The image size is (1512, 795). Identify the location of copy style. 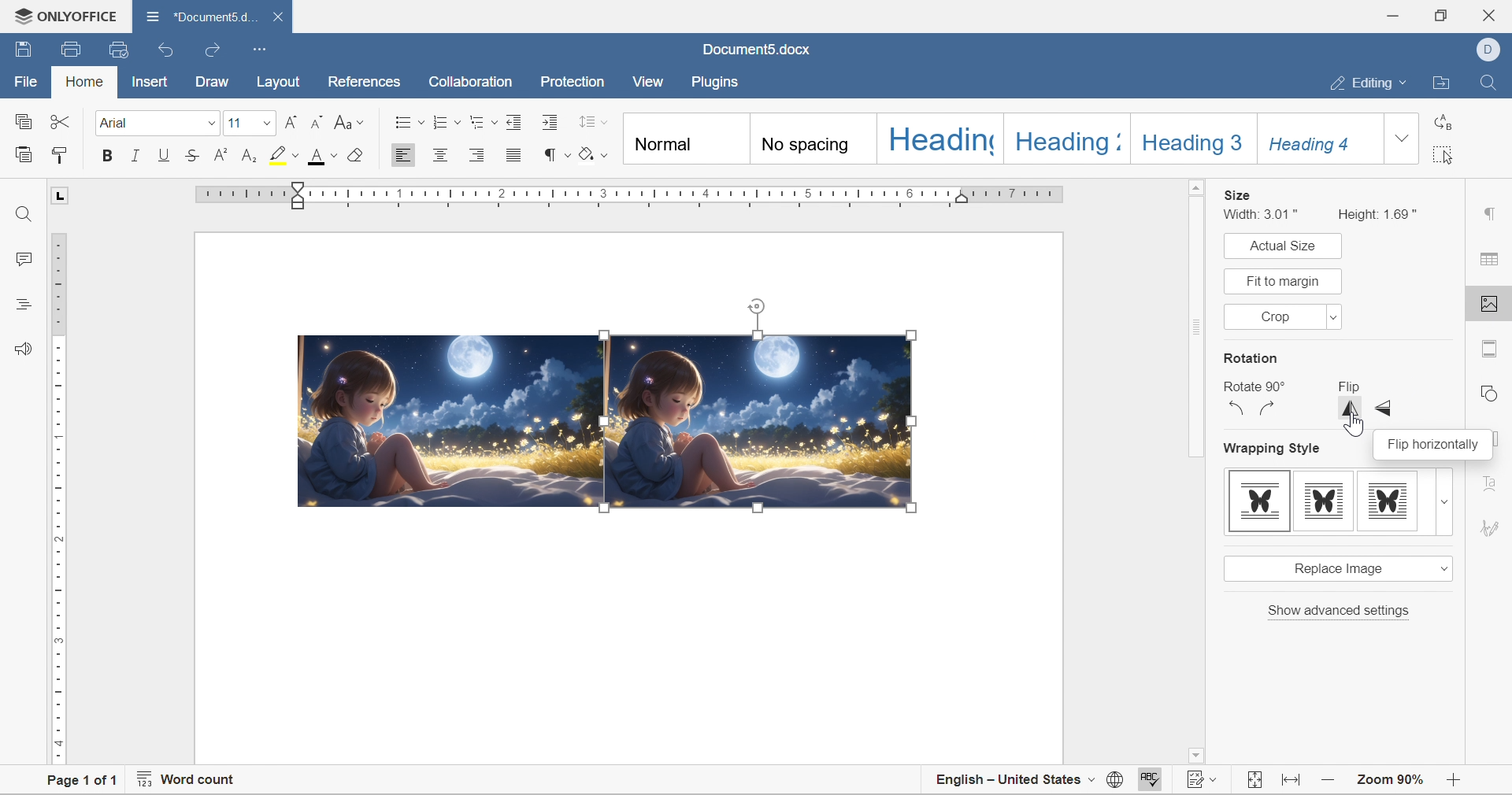
(60, 154).